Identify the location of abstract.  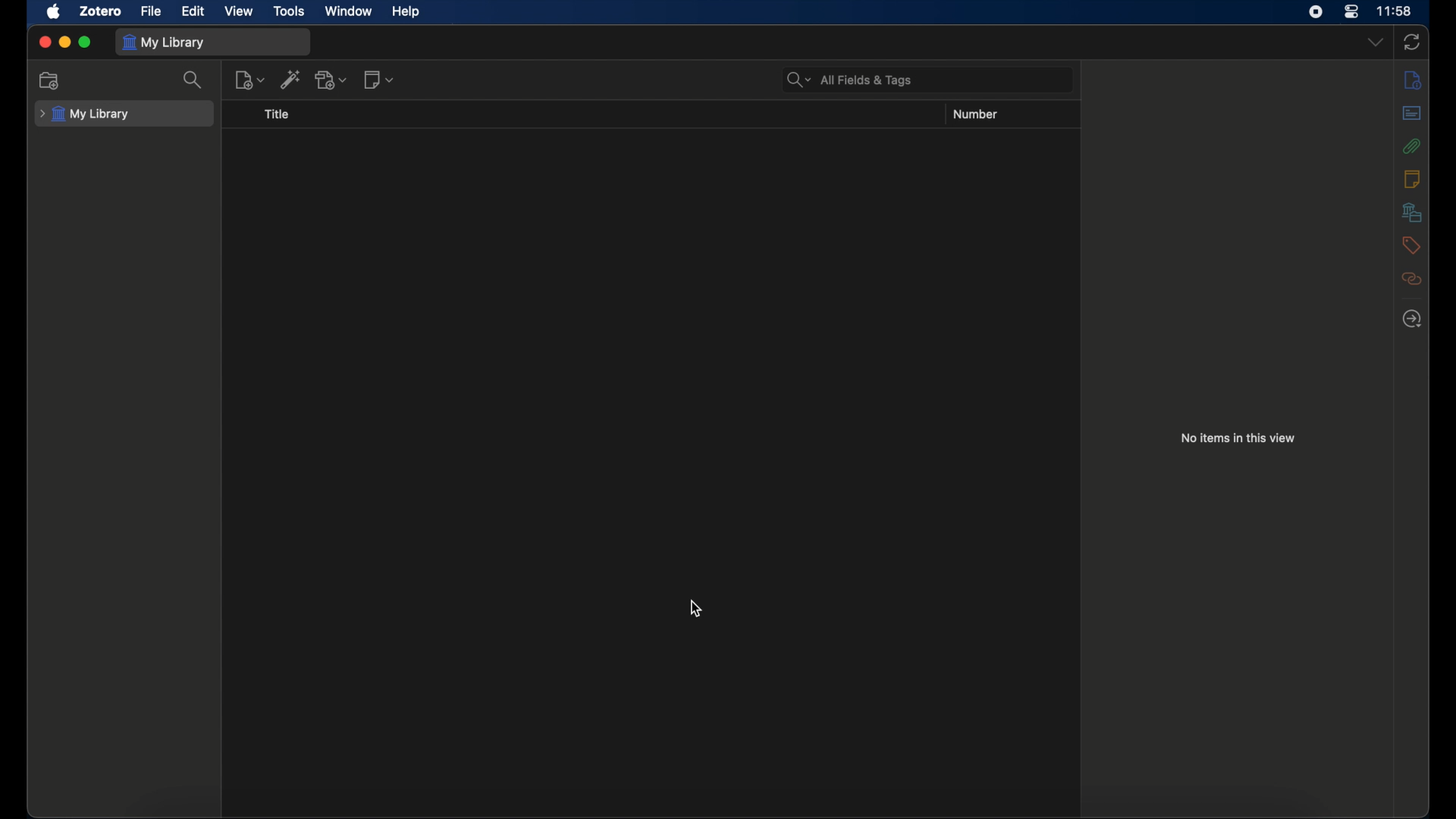
(1411, 114).